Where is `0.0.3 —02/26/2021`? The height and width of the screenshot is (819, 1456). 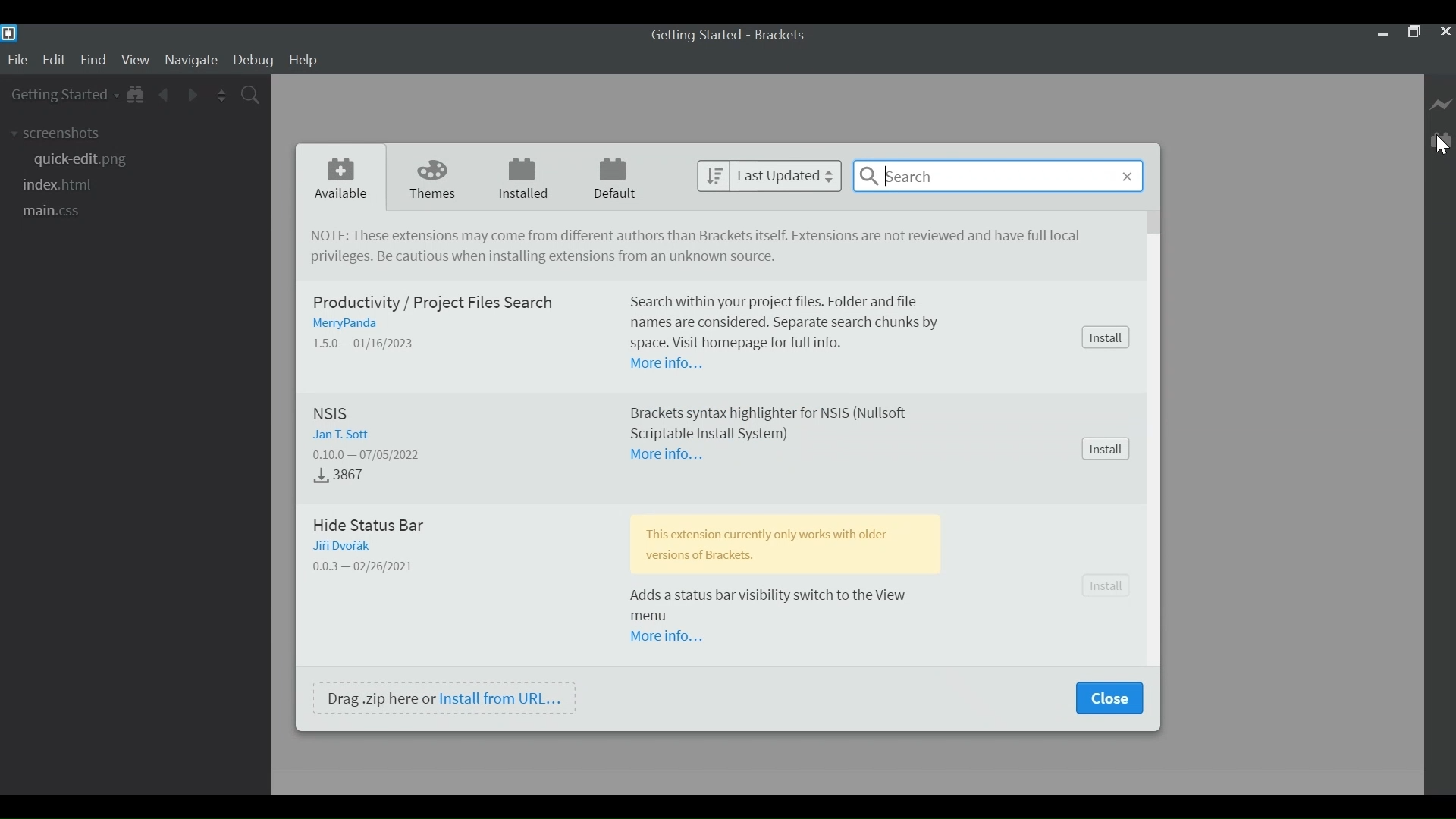
0.0.3 —02/26/2021 is located at coordinates (373, 566).